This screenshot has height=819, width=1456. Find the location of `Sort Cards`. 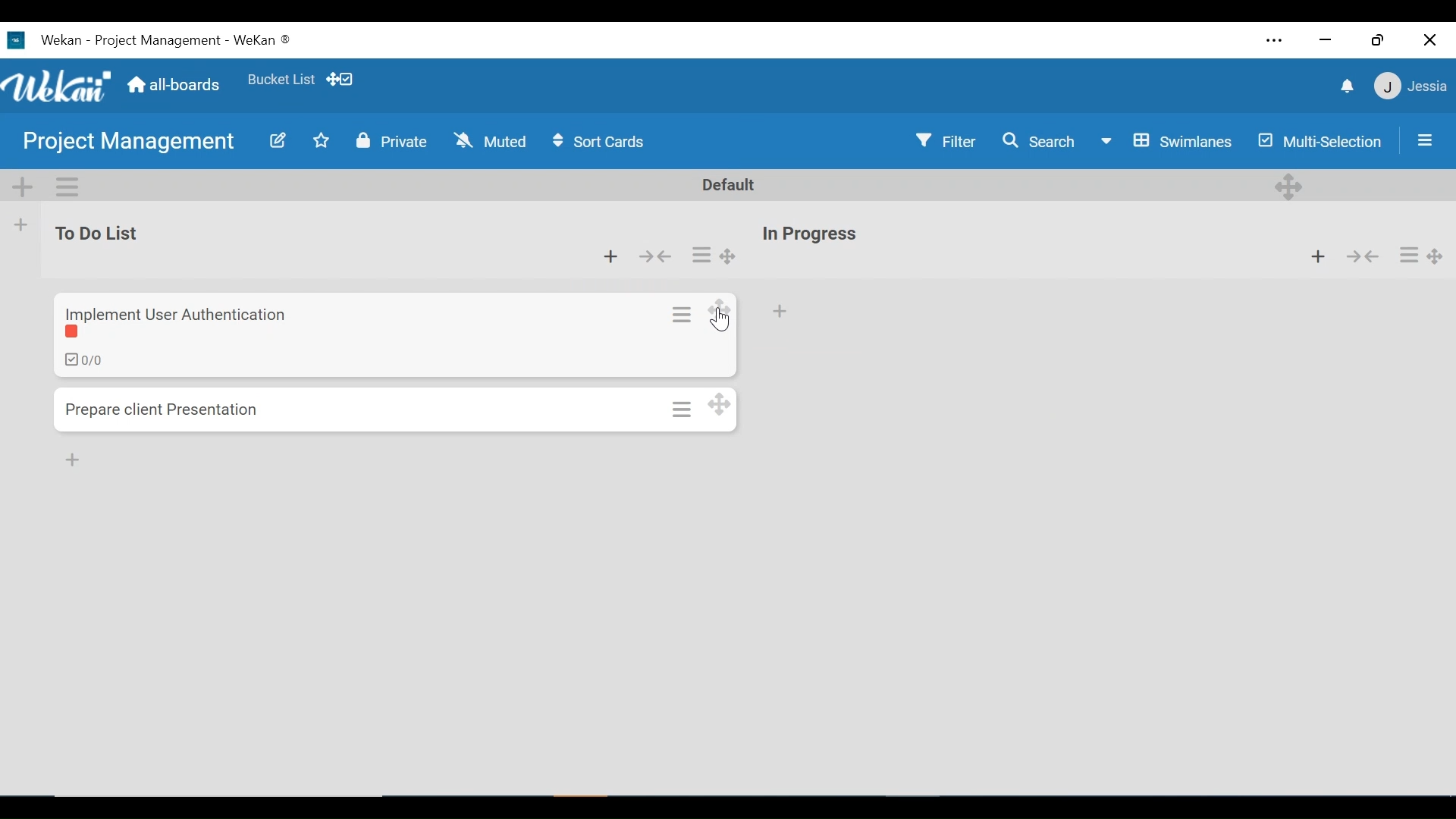

Sort Cards is located at coordinates (597, 142).